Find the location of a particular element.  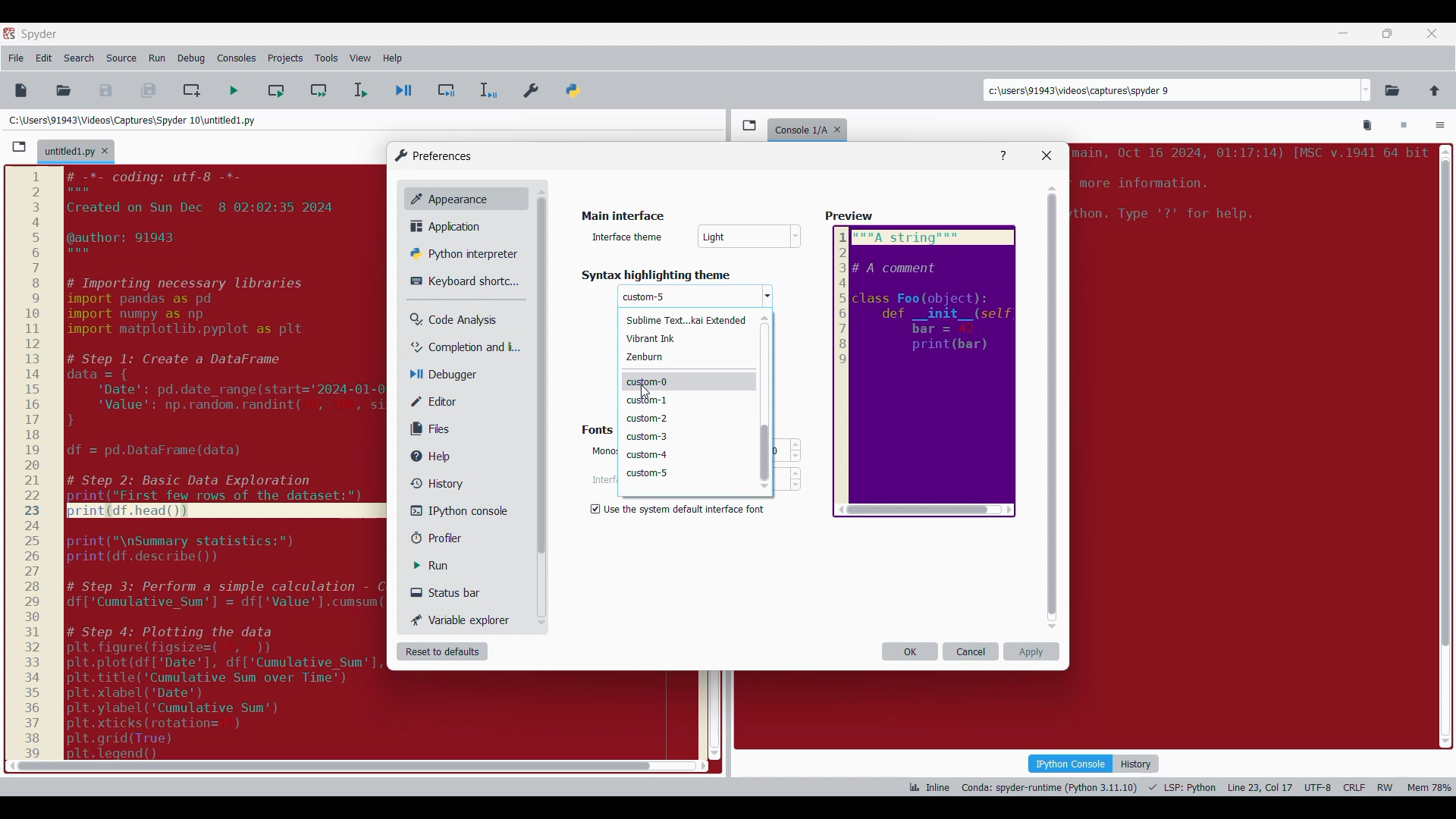

scroll bar is located at coordinates (329, 765).